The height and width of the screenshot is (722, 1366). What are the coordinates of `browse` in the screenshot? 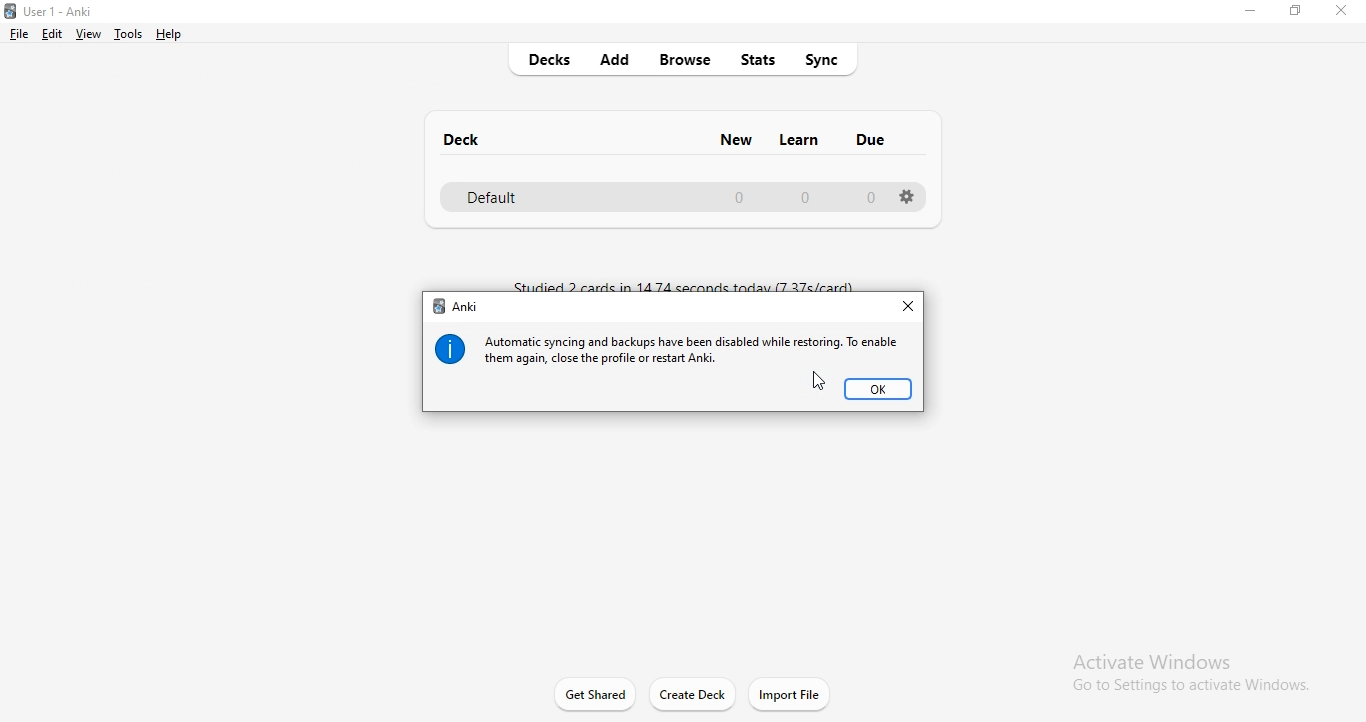 It's located at (688, 60).